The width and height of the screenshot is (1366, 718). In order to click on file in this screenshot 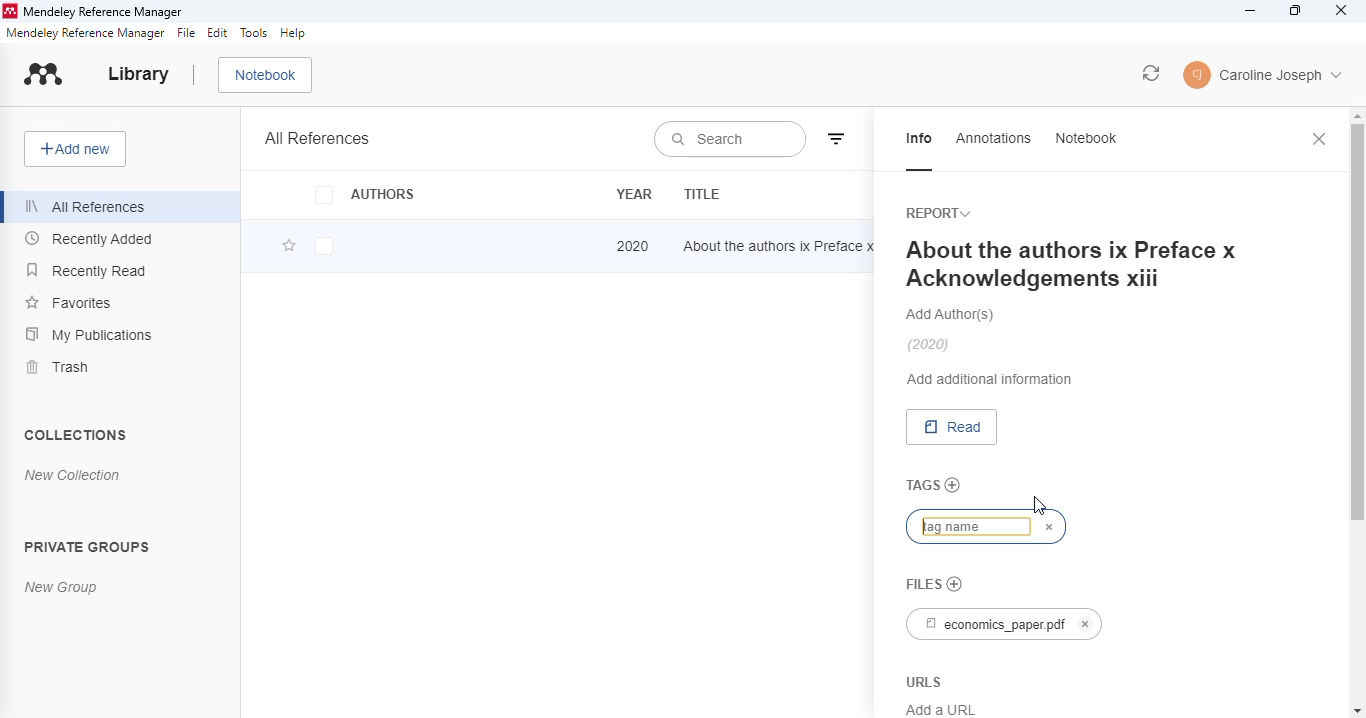, I will do `click(186, 33)`.